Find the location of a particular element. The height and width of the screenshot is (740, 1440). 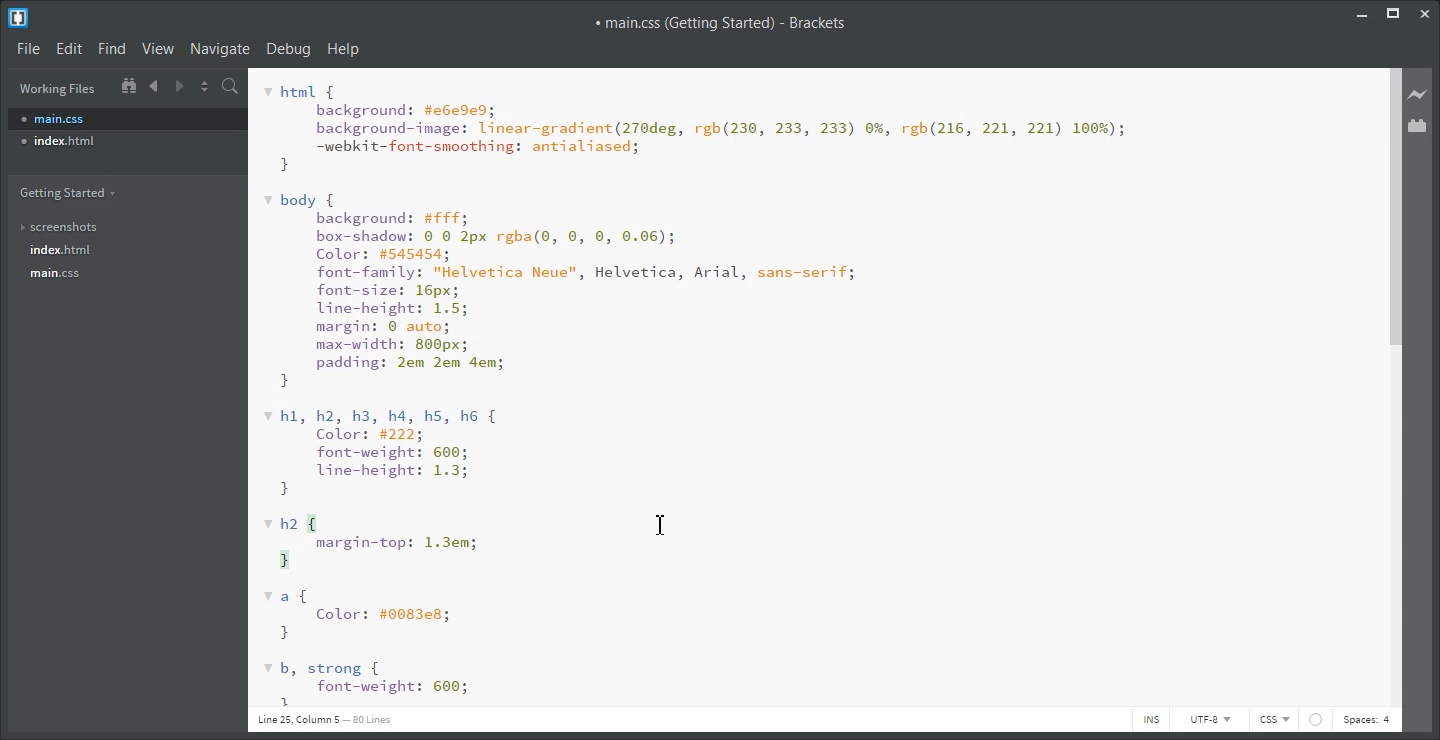

Extension Manager is located at coordinates (1418, 125).